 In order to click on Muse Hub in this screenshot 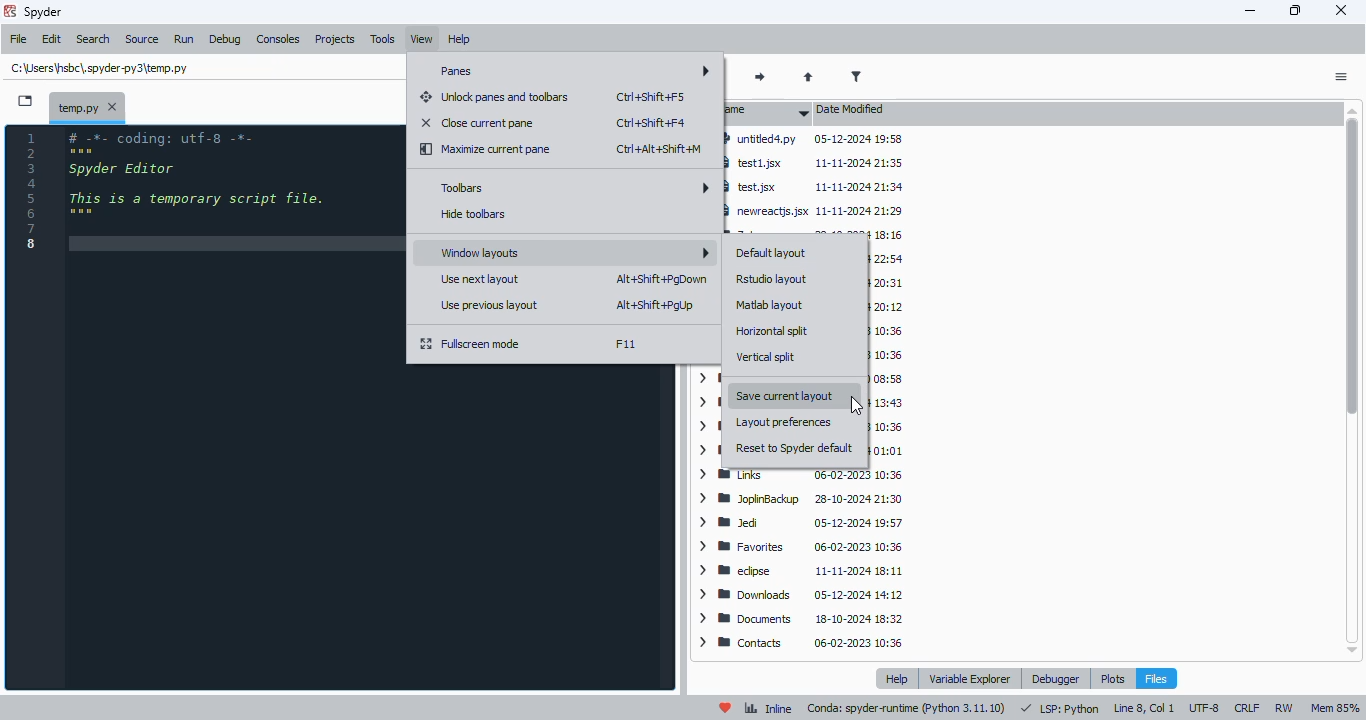, I will do `click(888, 451)`.